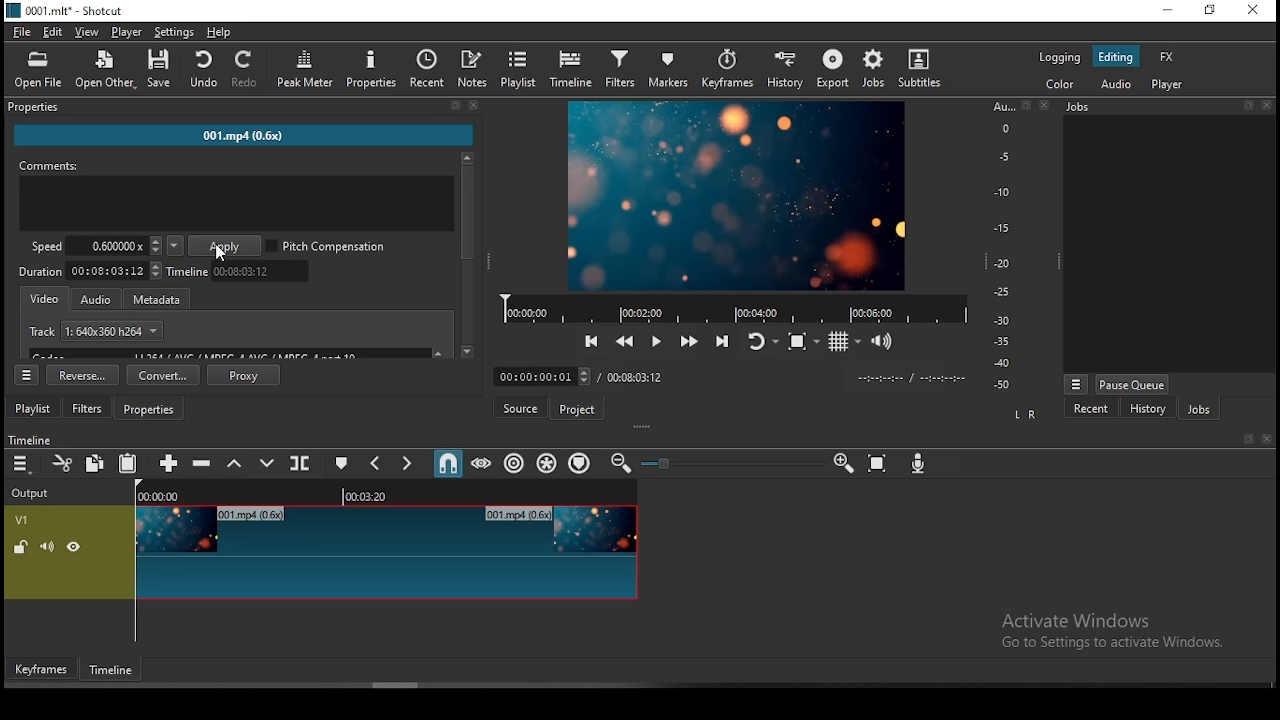 The height and width of the screenshot is (720, 1280). What do you see at coordinates (619, 464) in the screenshot?
I see `zoom timeline out` at bounding box center [619, 464].